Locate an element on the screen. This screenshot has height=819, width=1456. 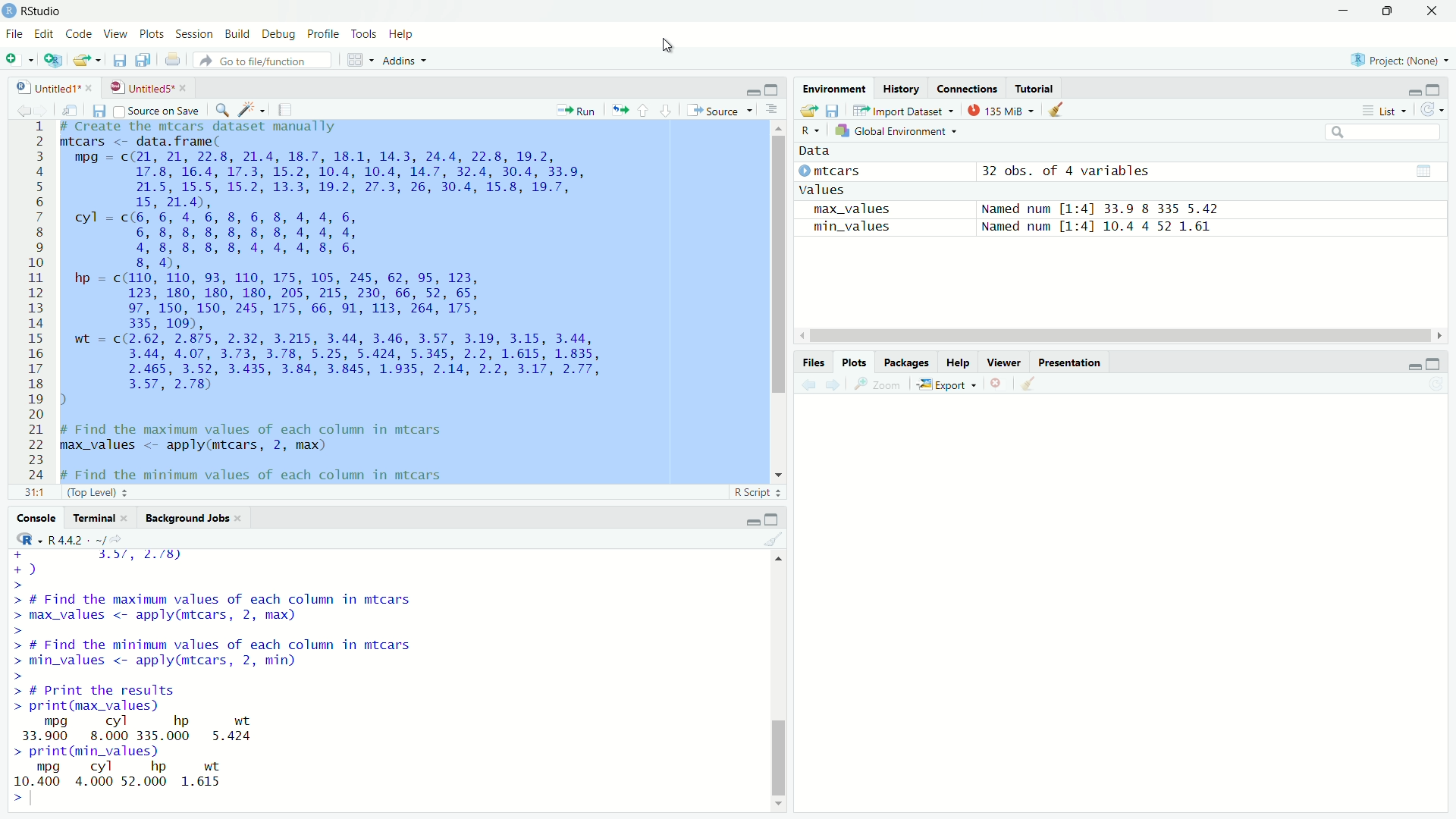
Presentation is located at coordinates (1082, 362).